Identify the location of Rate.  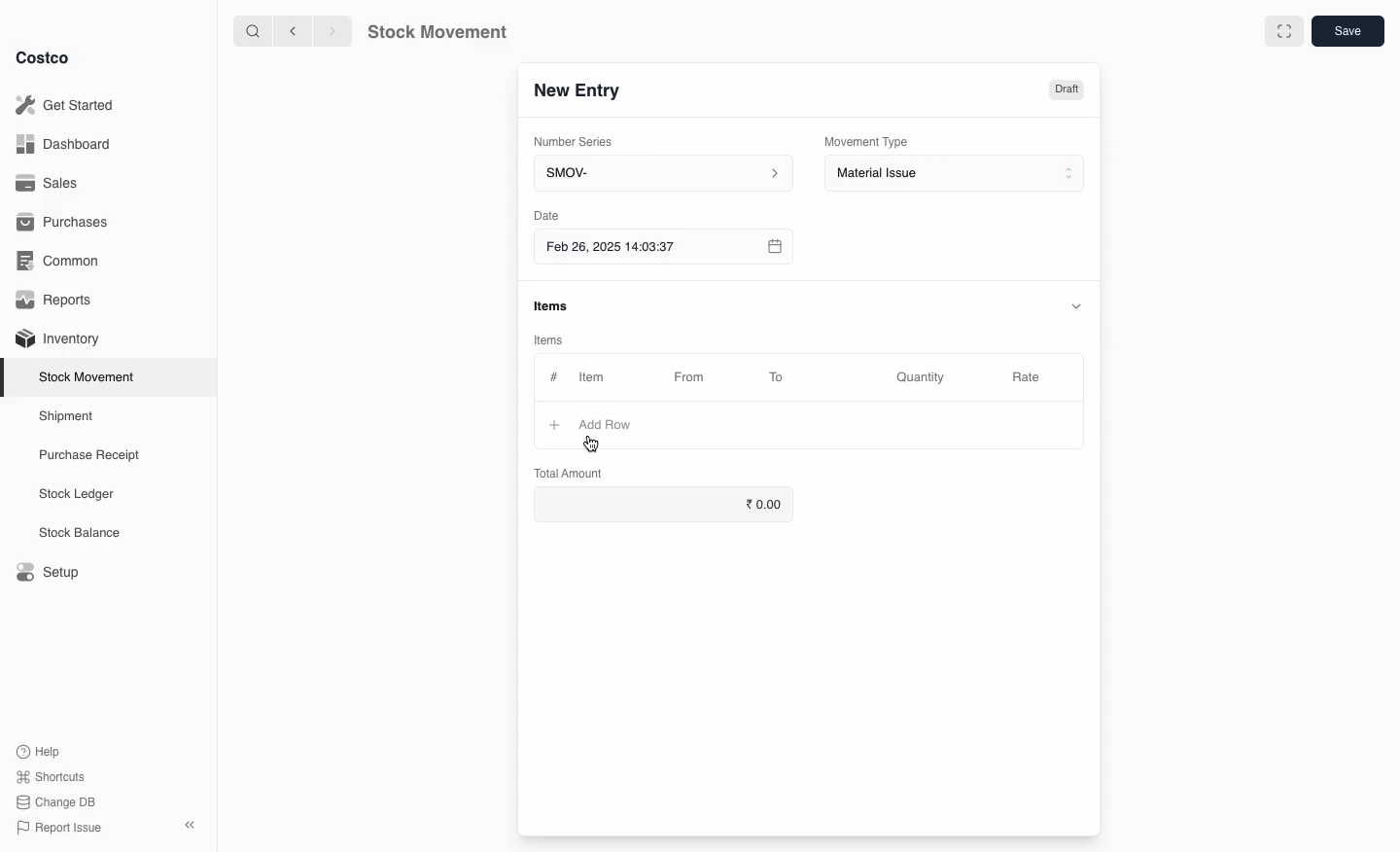
(1027, 374).